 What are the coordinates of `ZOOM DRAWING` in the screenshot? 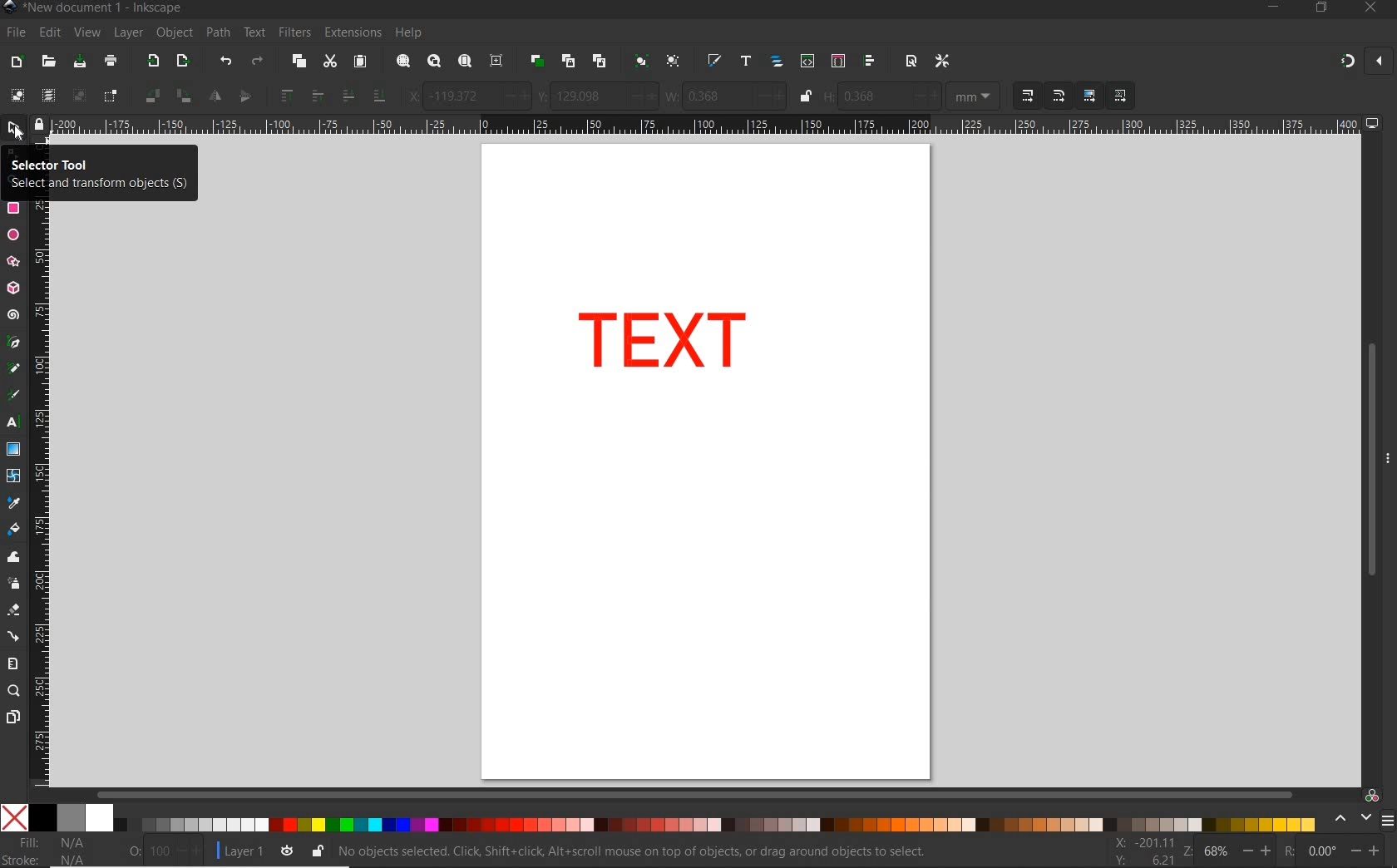 It's located at (432, 62).